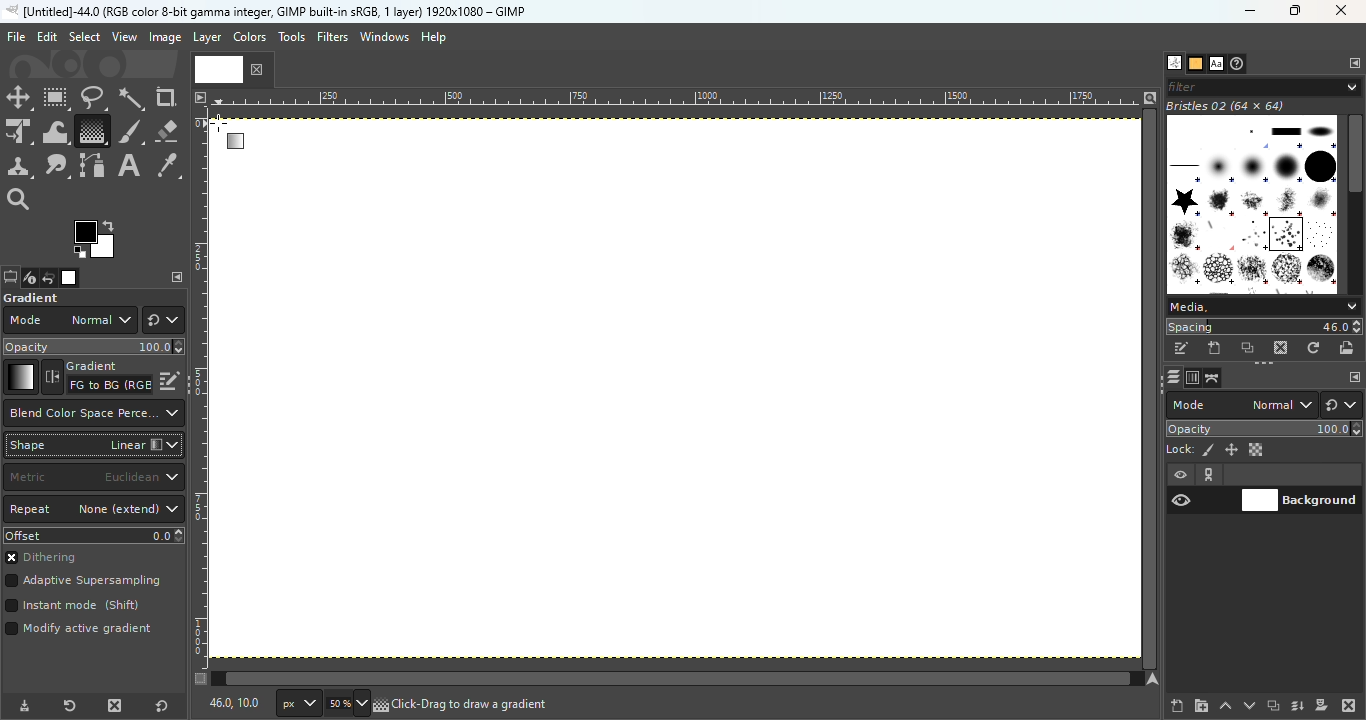 This screenshot has width=1366, height=720. What do you see at coordinates (200, 387) in the screenshot?
I see `Vertical ruler` at bounding box center [200, 387].